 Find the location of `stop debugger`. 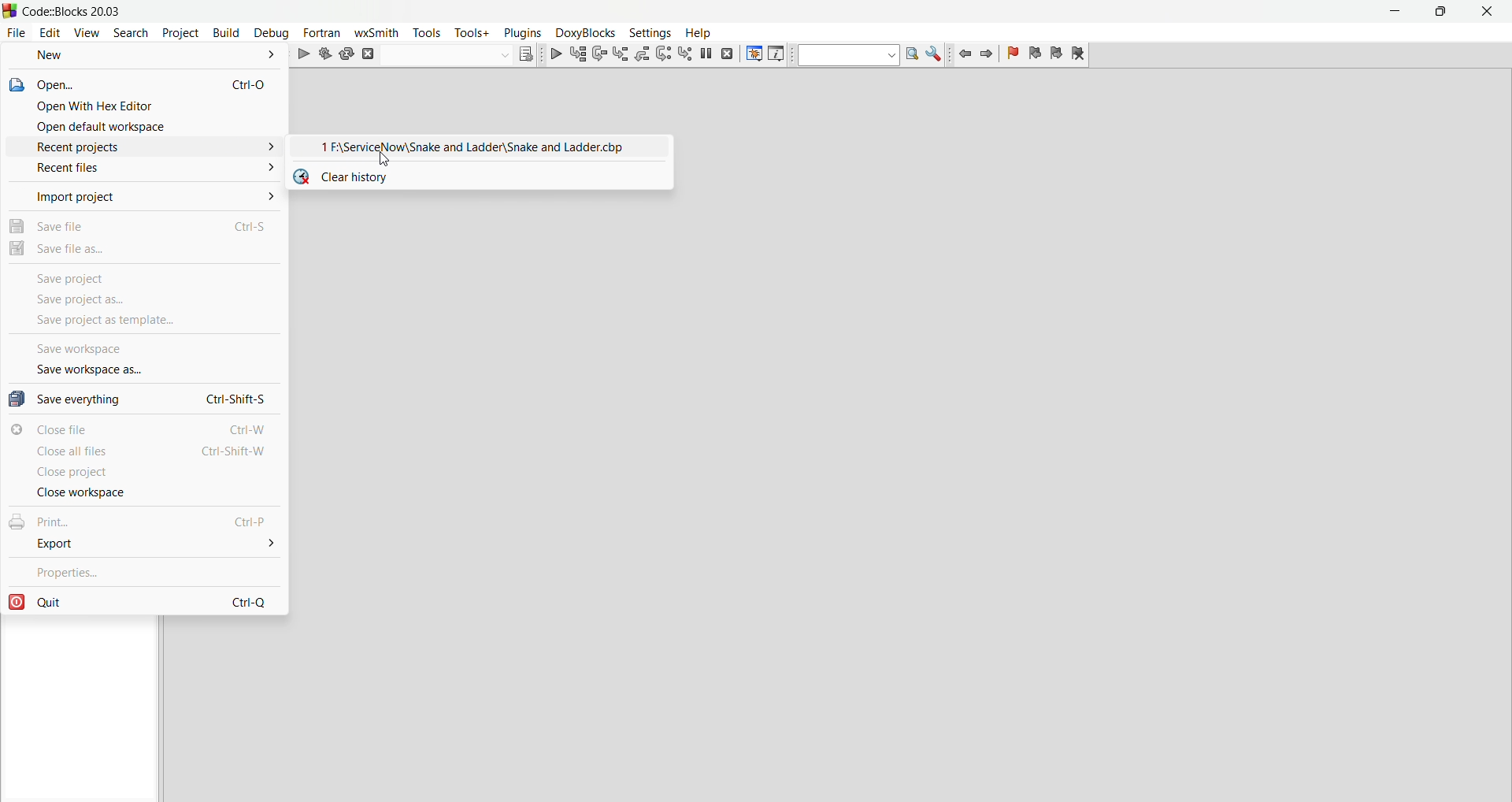

stop debugger is located at coordinates (727, 54).